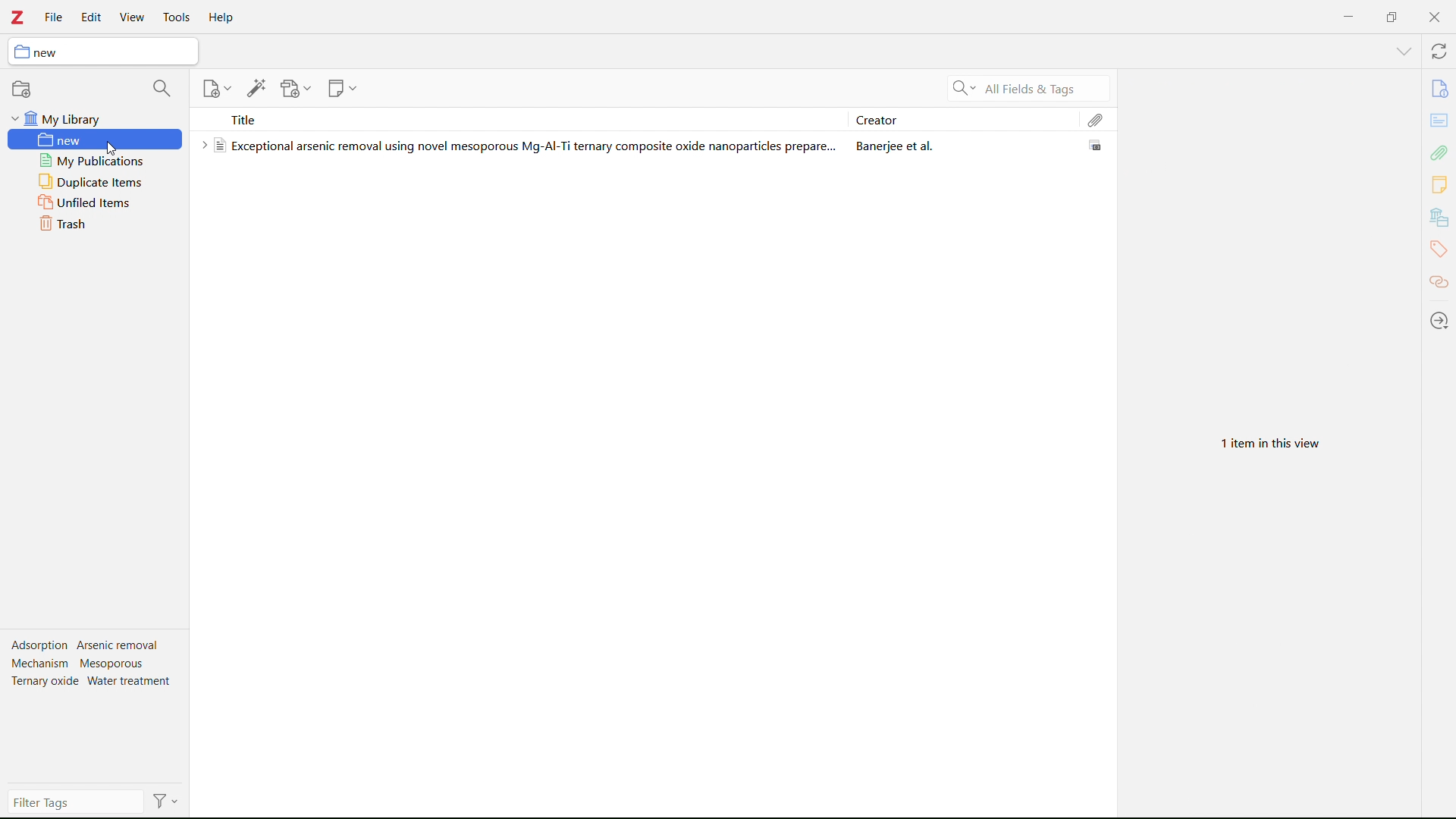 The image size is (1456, 819). Describe the element at coordinates (91, 682) in the screenshot. I see `Ternary oxide Water treatment` at that location.